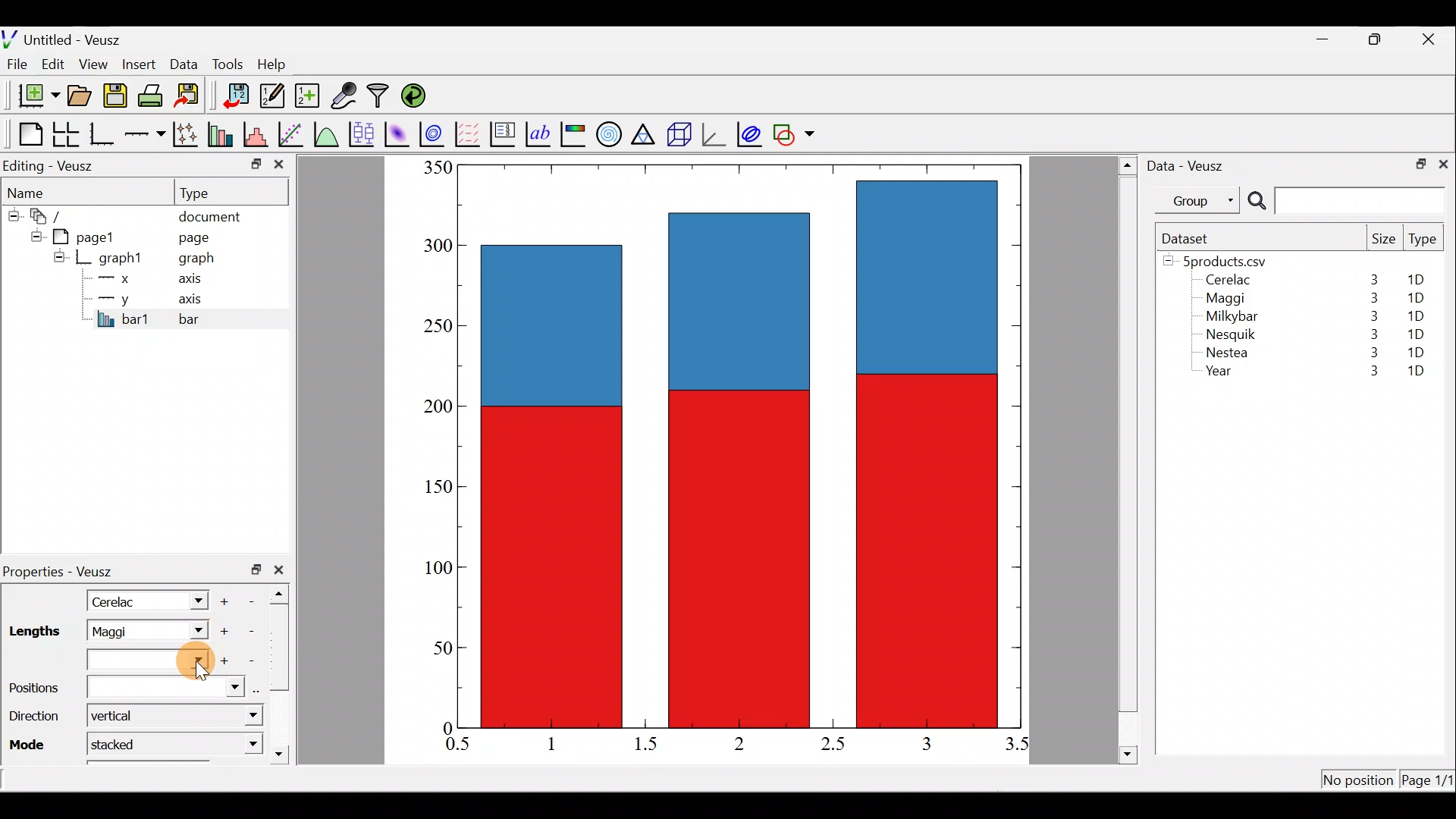 The height and width of the screenshot is (819, 1456). Describe the element at coordinates (438, 490) in the screenshot. I see `150` at that location.